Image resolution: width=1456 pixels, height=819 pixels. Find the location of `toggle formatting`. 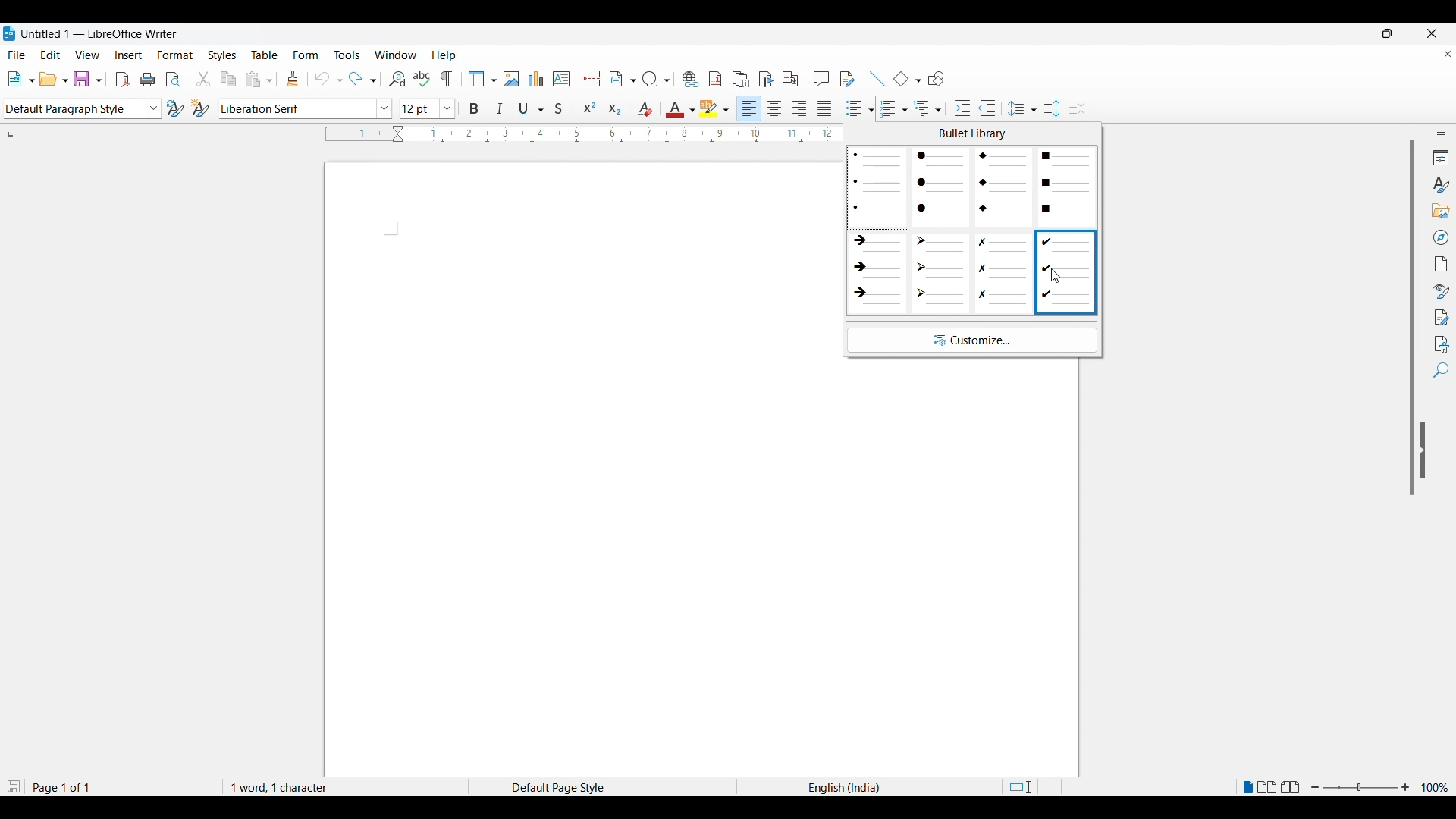

toggle formatting is located at coordinates (448, 79).